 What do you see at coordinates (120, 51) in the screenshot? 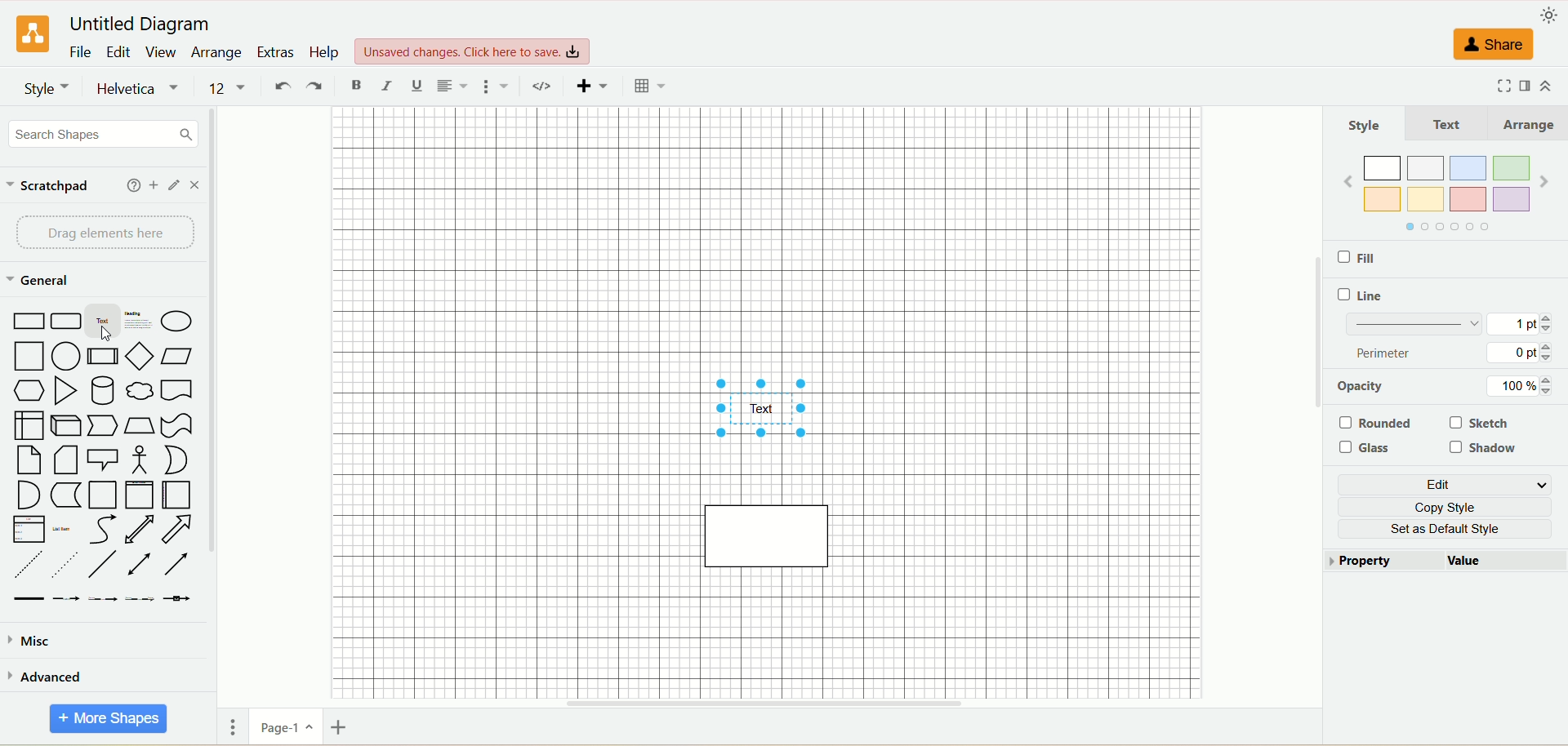
I see `edit` at bounding box center [120, 51].